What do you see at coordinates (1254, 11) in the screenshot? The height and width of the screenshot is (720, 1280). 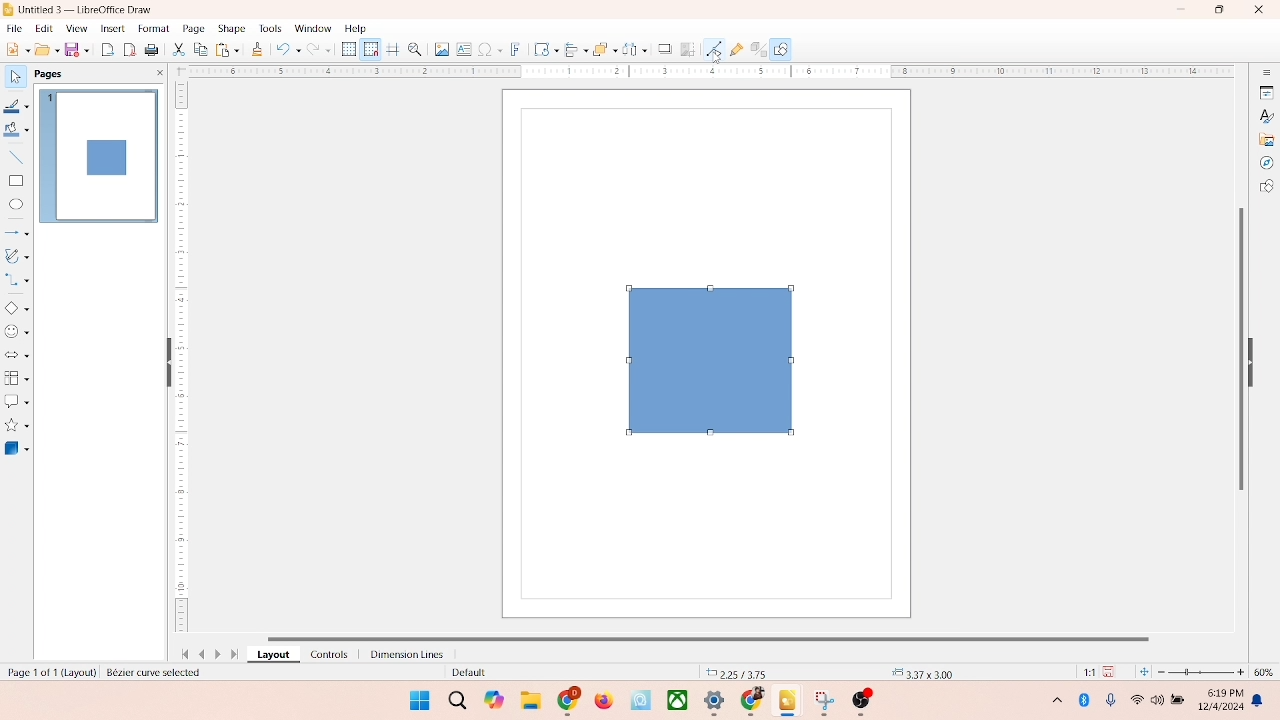 I see `close` at bounding box center [1254, 11].